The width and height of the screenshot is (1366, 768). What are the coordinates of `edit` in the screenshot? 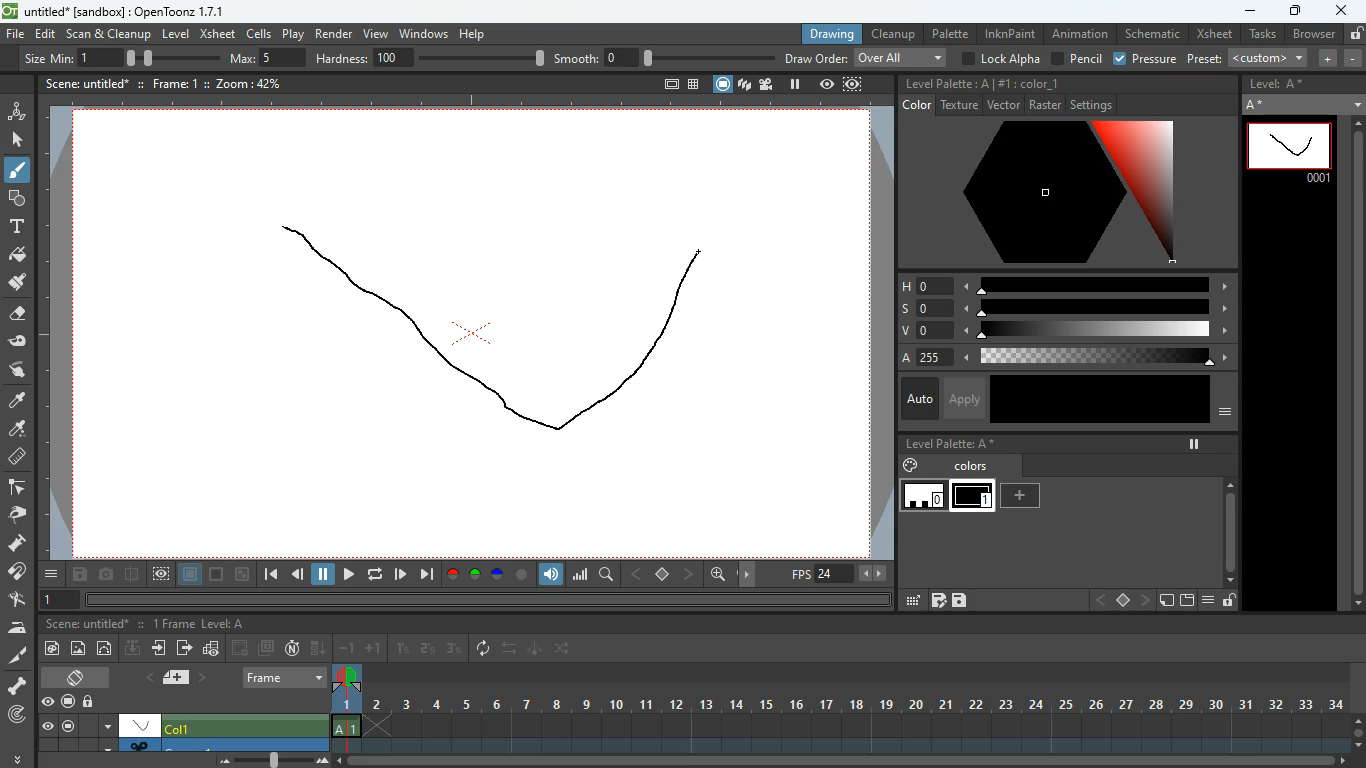 It's located at (17, 600).